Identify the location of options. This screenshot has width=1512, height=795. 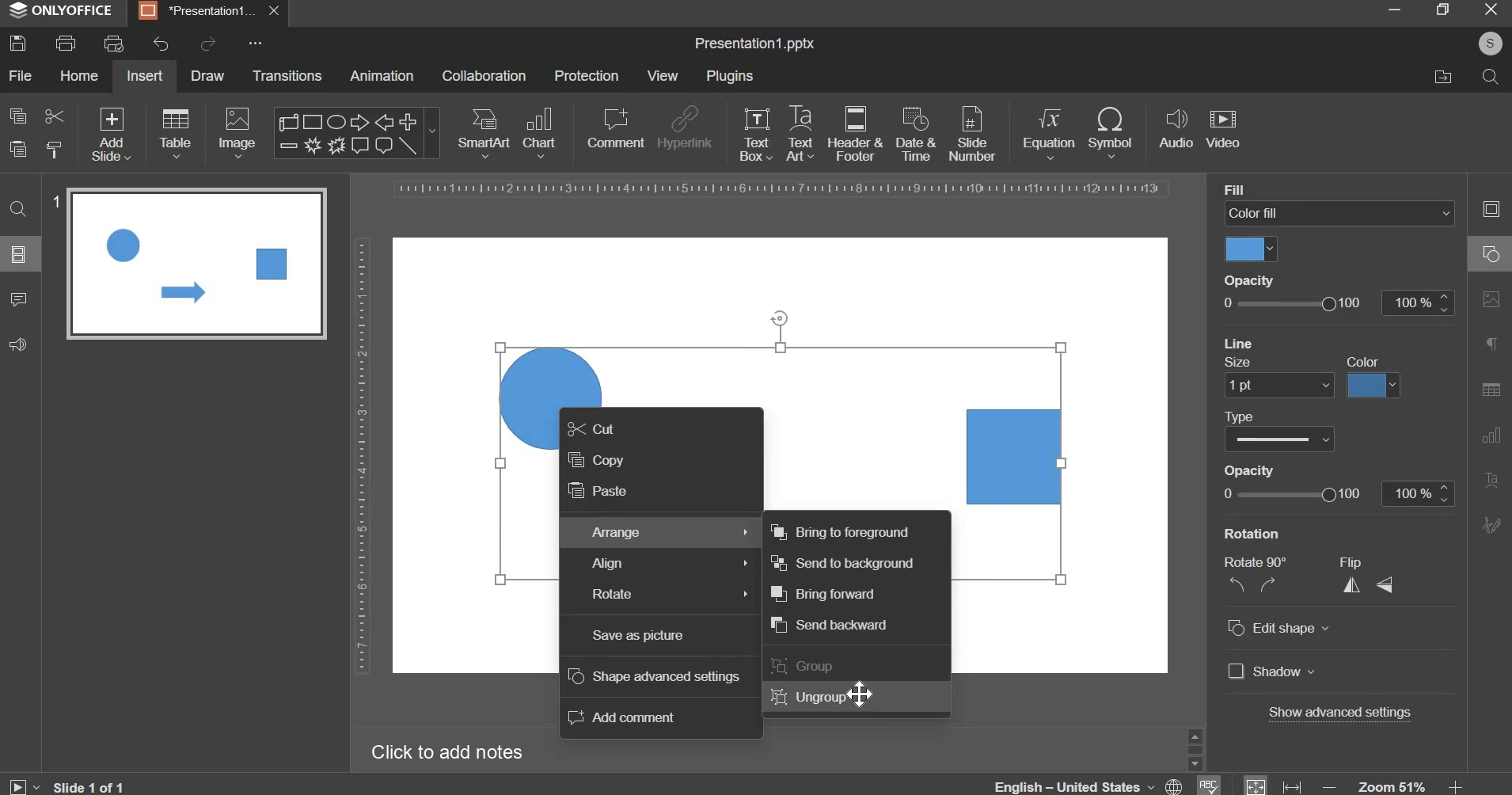
(261, 44).